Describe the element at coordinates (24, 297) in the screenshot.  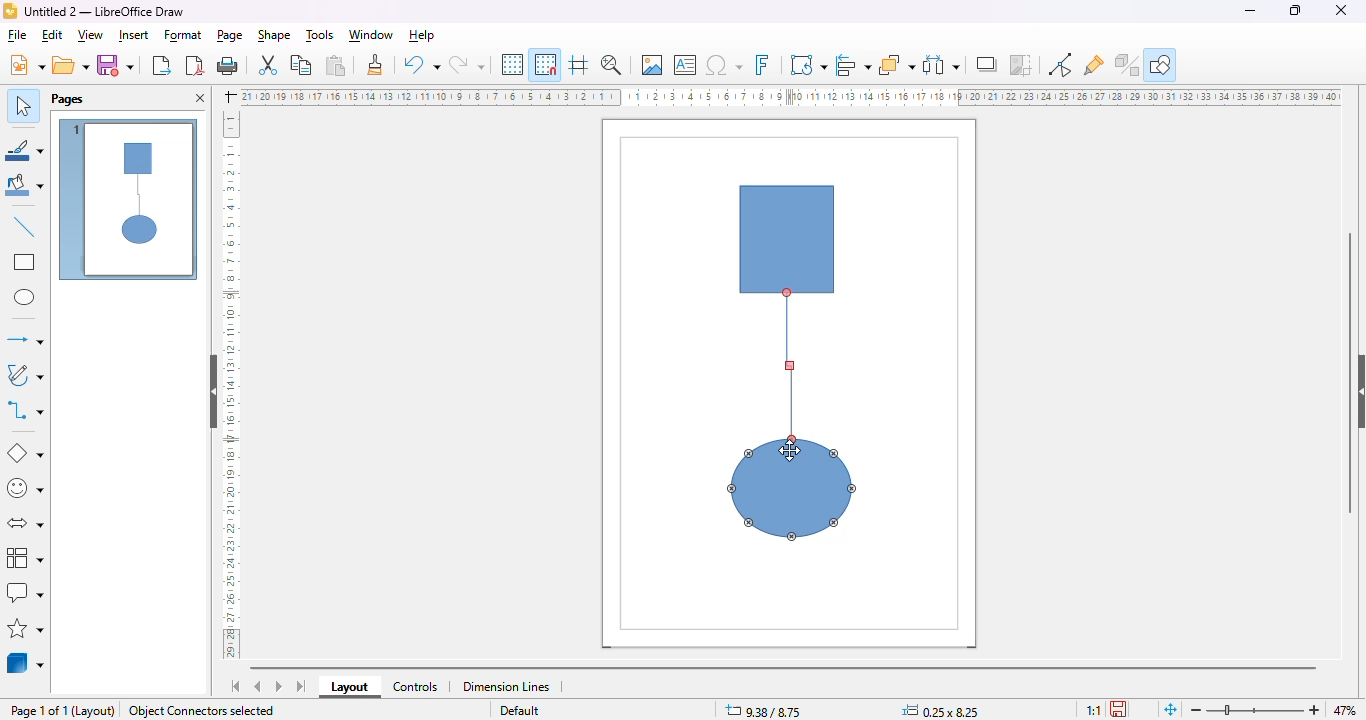
I see `ellipse` at that location.